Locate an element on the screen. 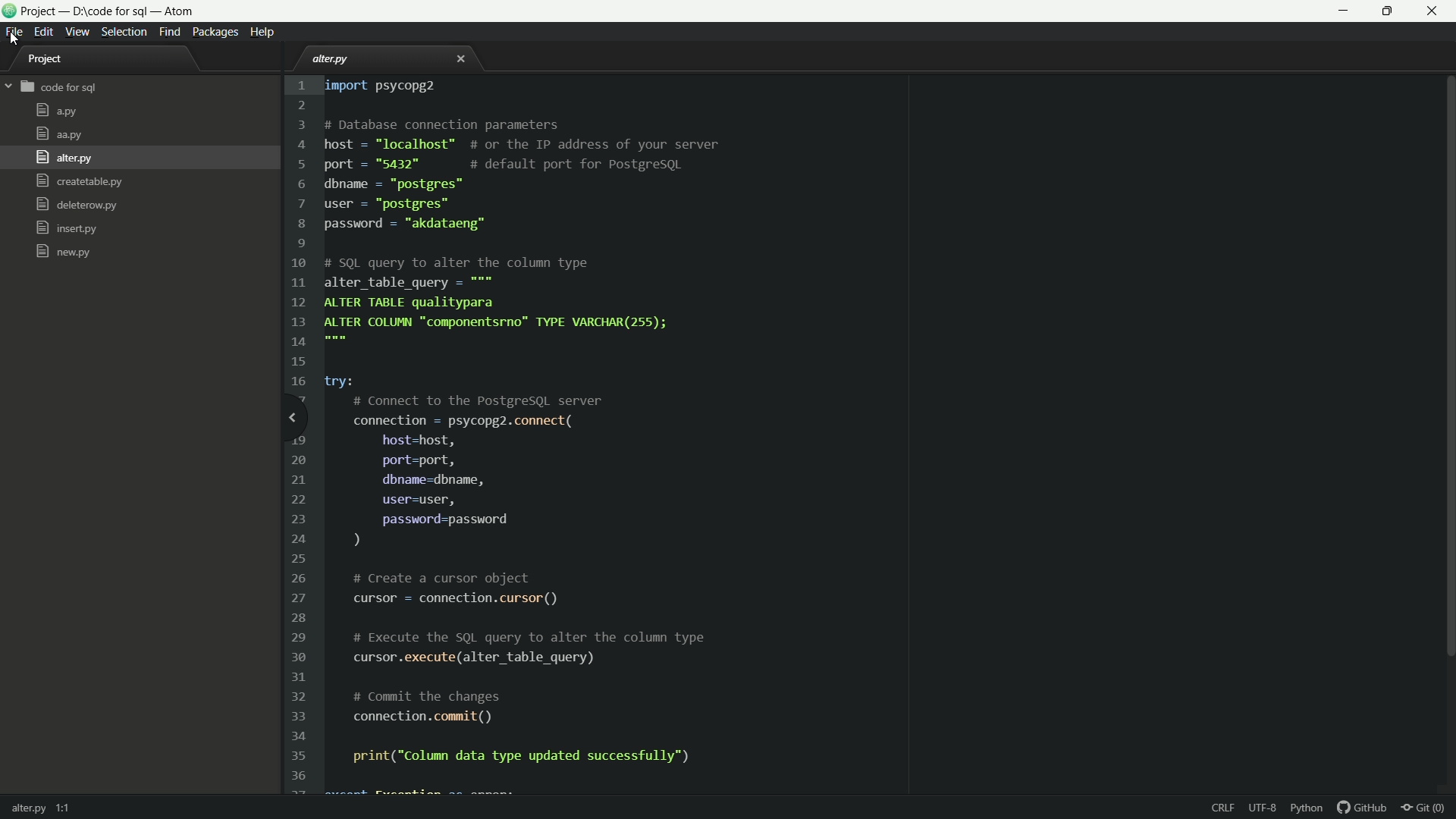  folder name is located at coordinates (60, 88).